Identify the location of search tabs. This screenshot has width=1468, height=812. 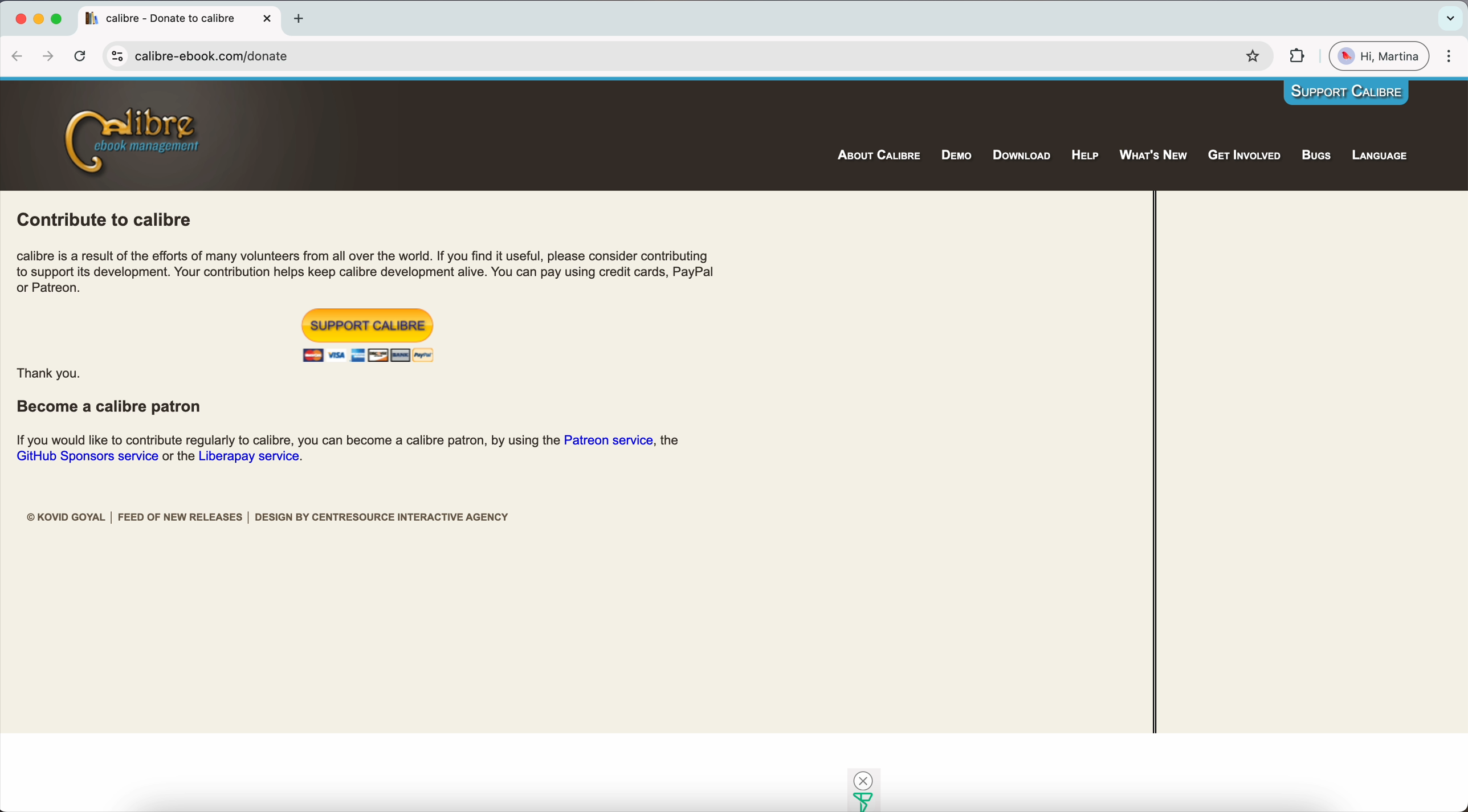
(1448, 18).